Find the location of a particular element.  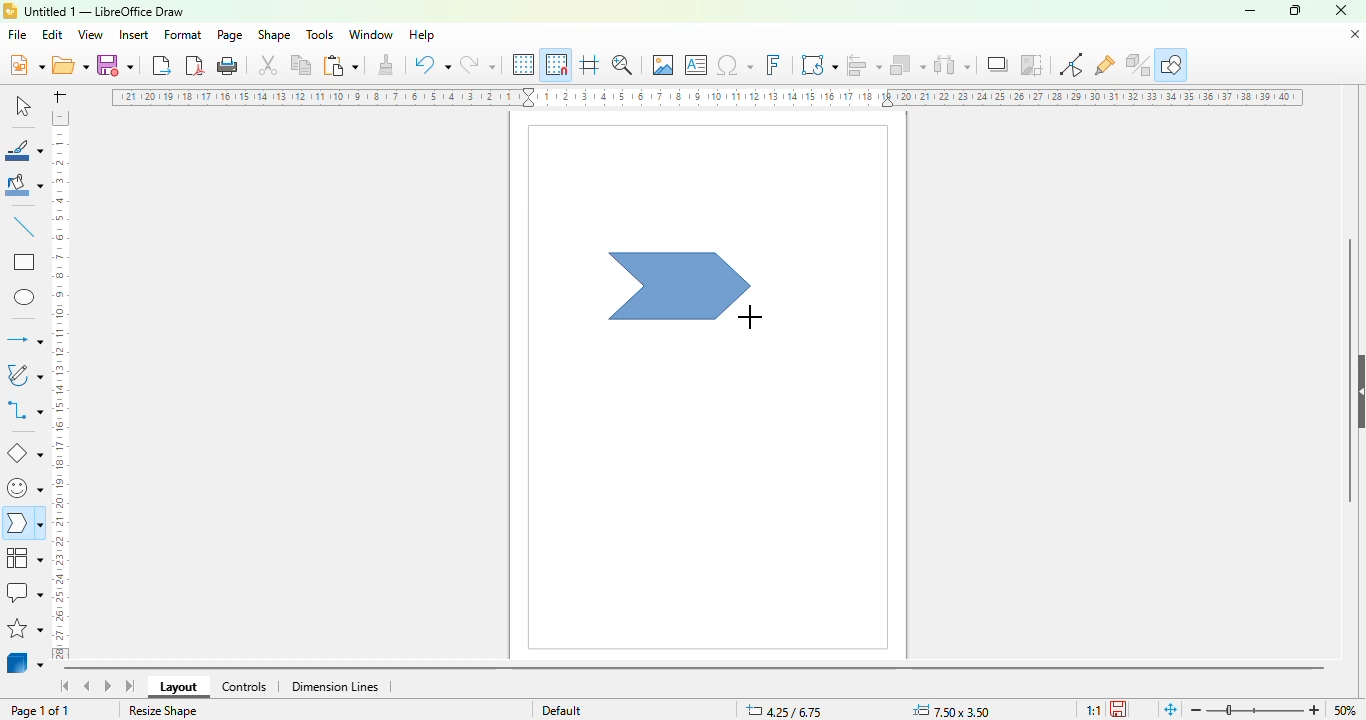

arrange is located at coordinates (908, 65).